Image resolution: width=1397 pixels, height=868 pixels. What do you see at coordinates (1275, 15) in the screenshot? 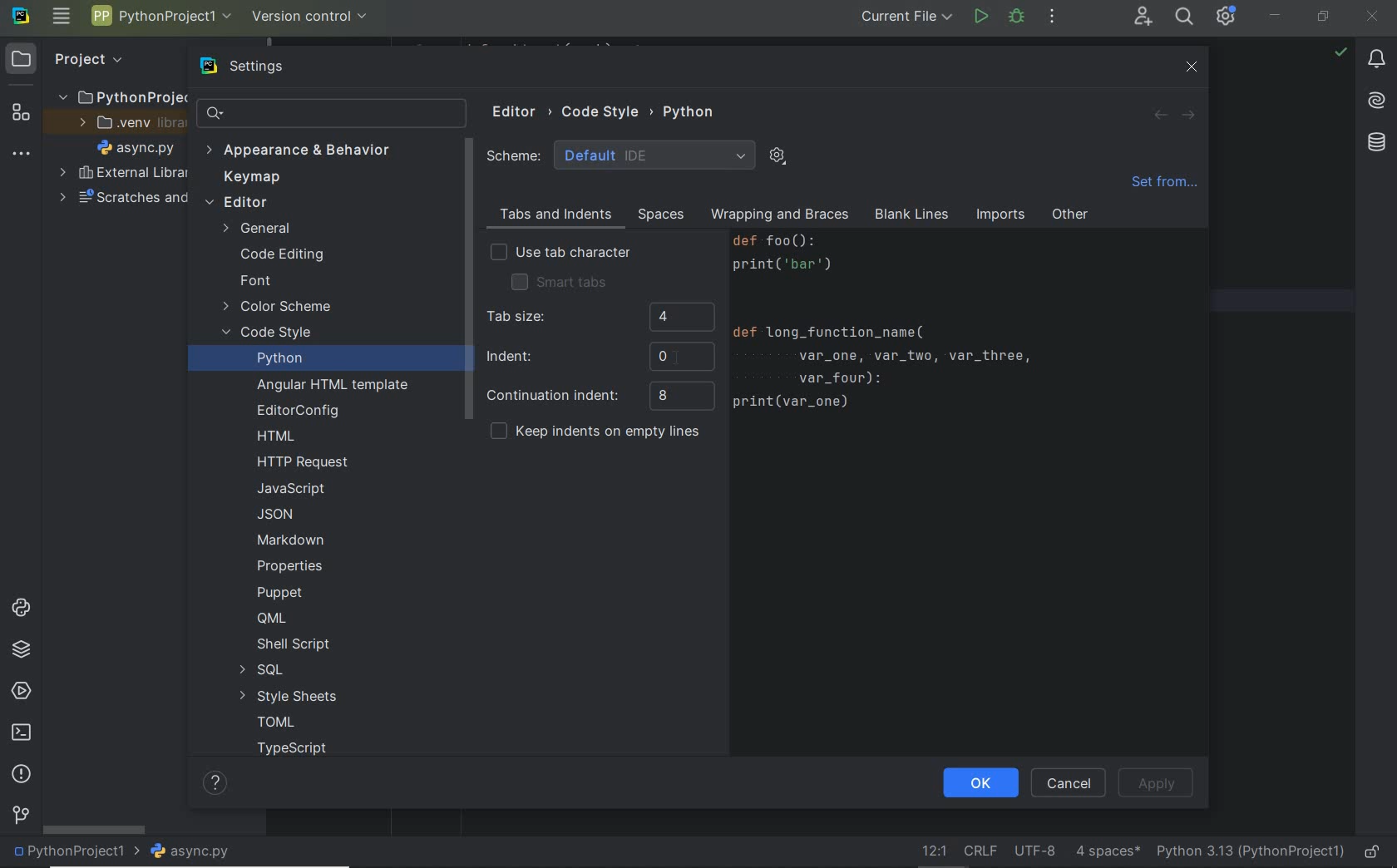
I see `minimize` at bounding box center [1275, 15].